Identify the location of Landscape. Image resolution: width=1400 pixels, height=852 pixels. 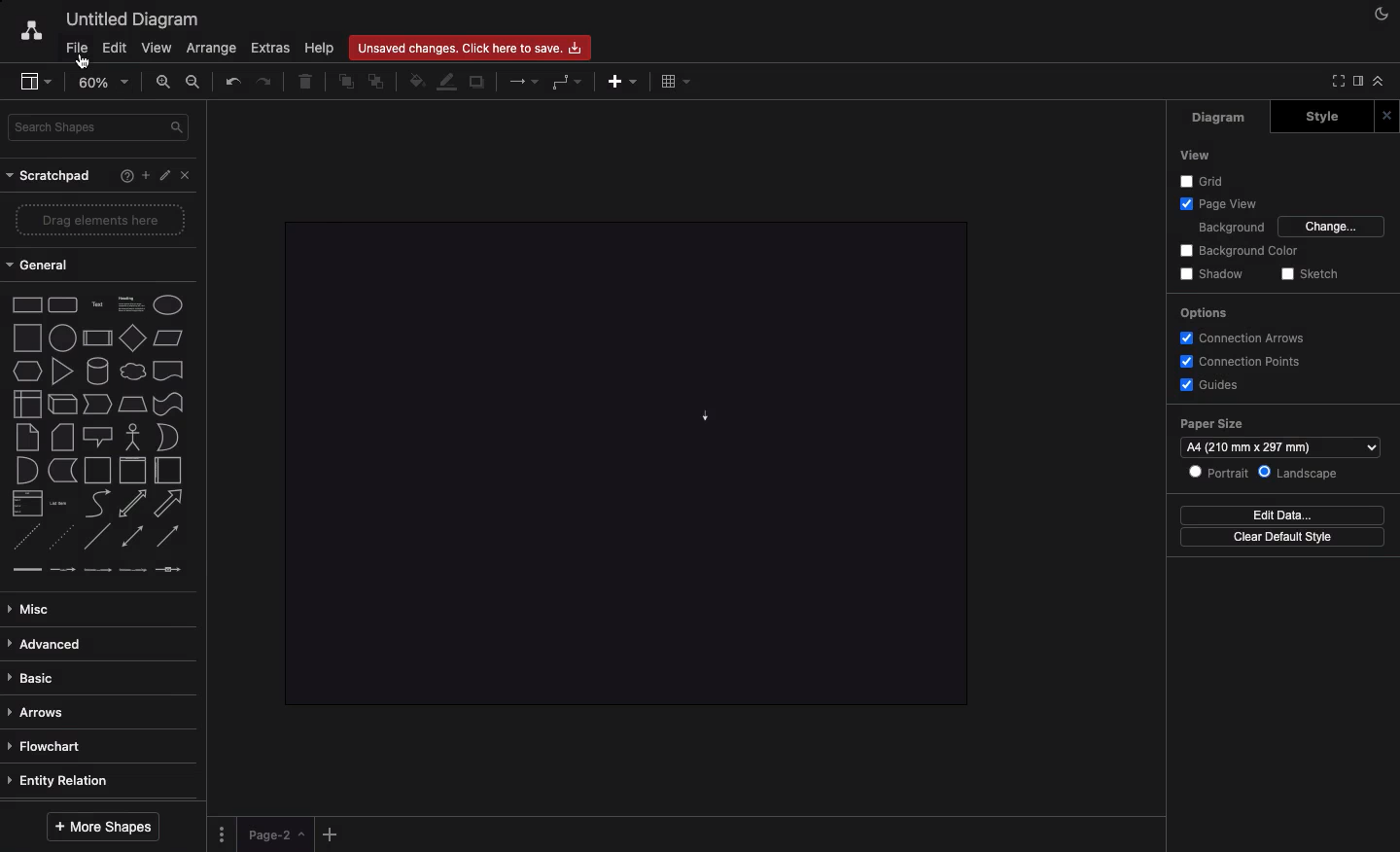
(1299, 474).